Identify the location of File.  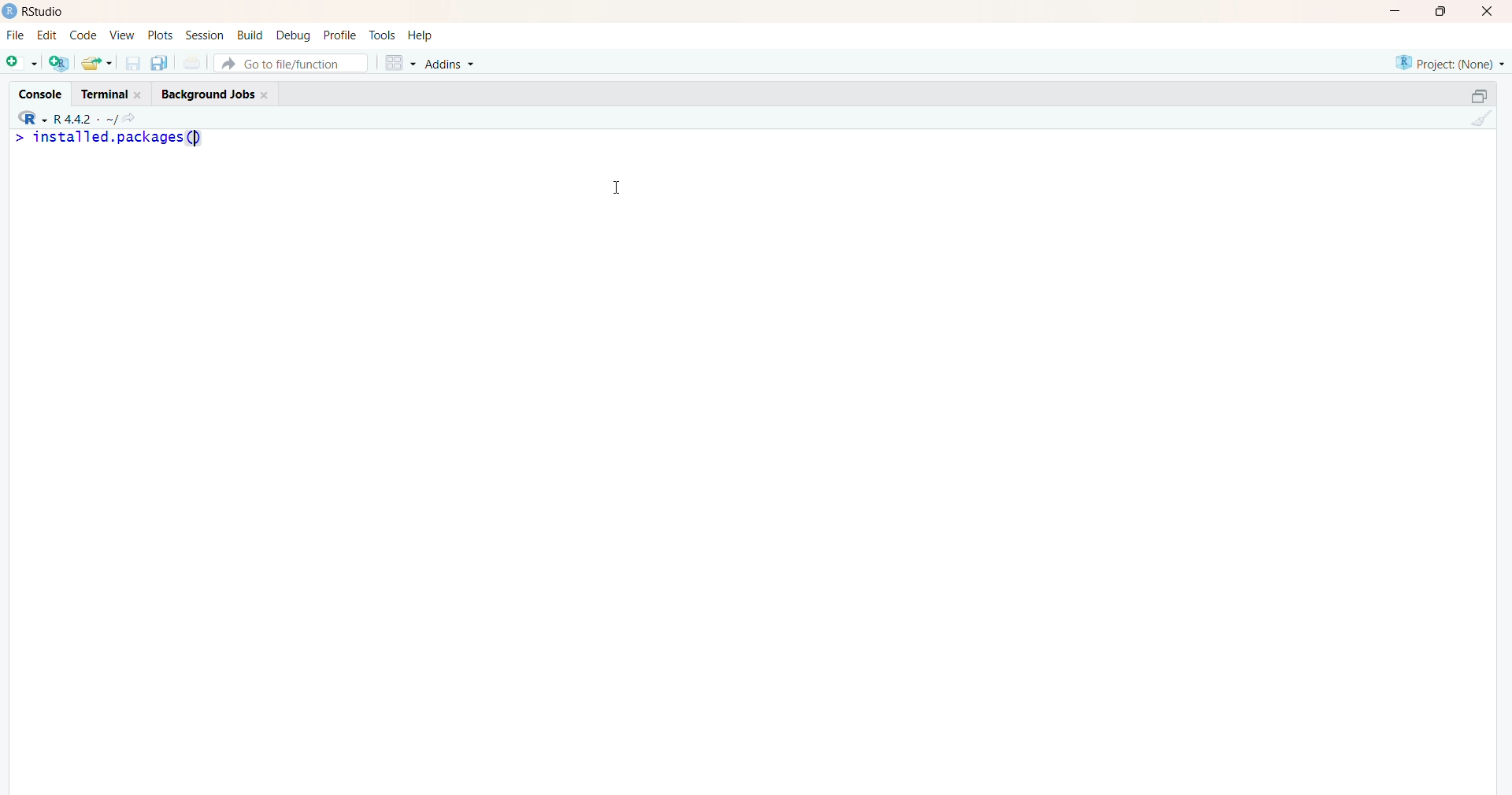
(13, 37).